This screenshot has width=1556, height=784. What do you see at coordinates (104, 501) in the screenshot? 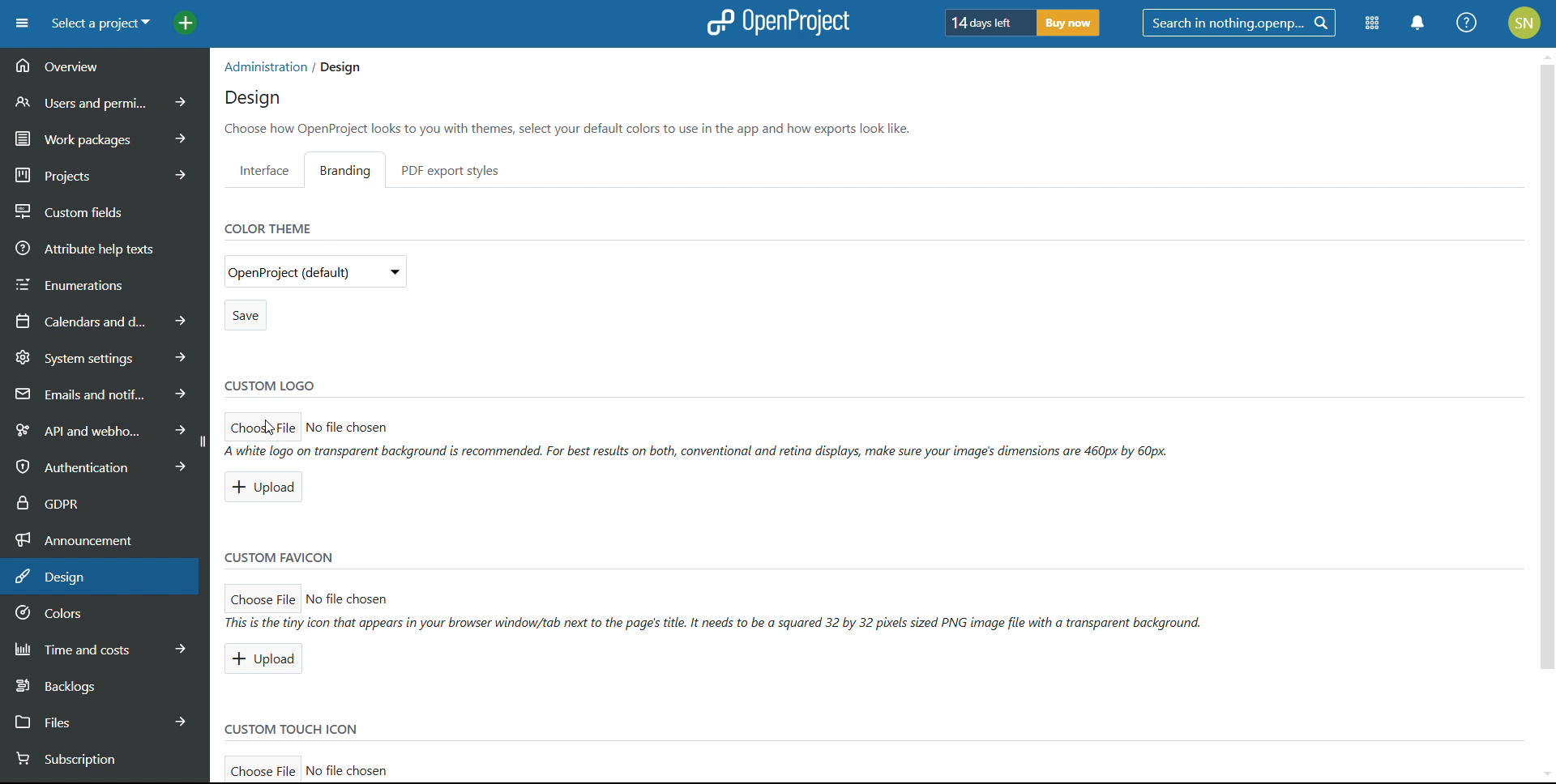
I see `GDPR` at bounding box center [104, 501].